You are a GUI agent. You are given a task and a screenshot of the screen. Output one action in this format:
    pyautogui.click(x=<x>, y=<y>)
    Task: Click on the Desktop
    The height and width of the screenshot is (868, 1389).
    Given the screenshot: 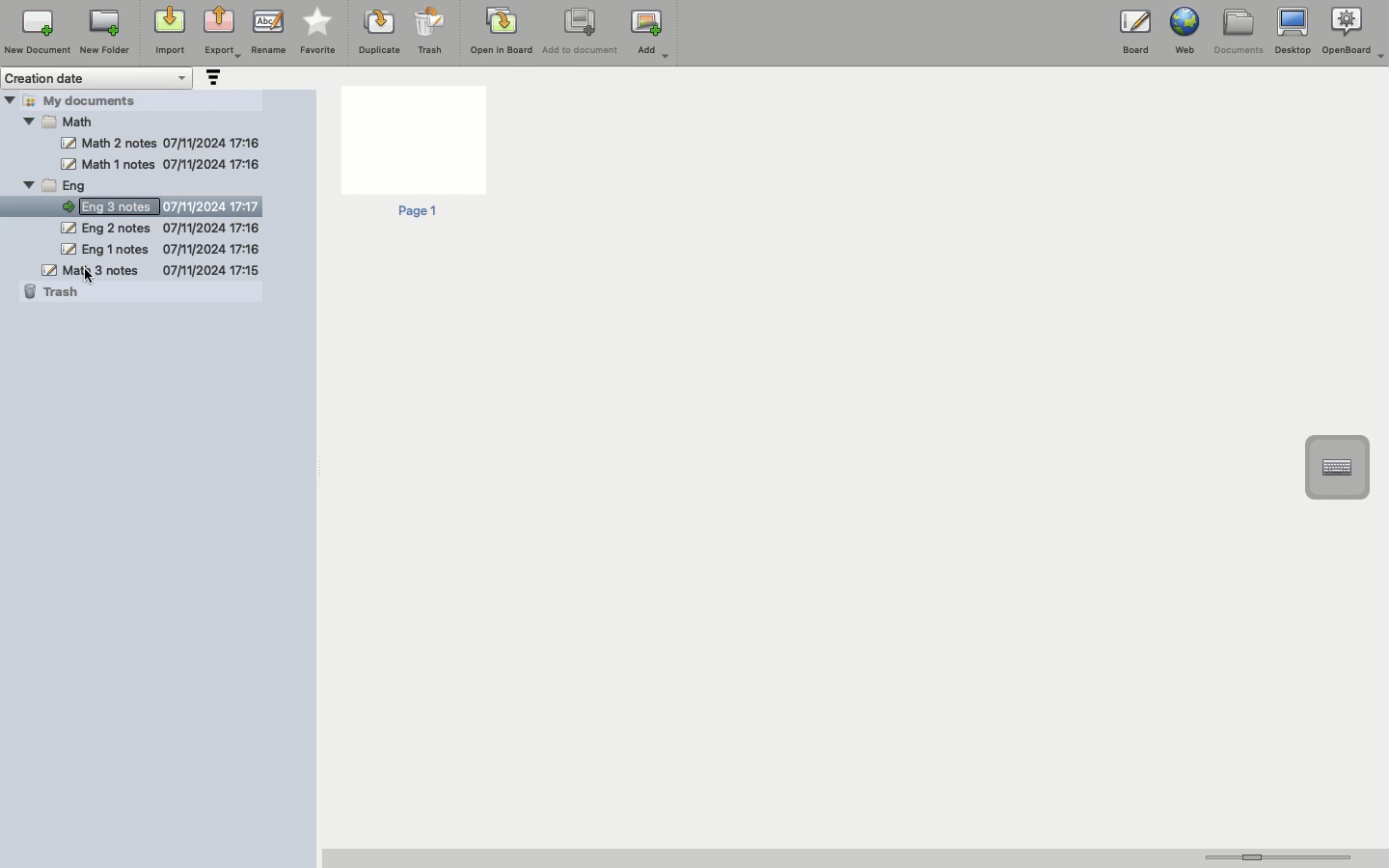 What is the action you would take?
    pyautogui.click(x=1293, y=32)
    